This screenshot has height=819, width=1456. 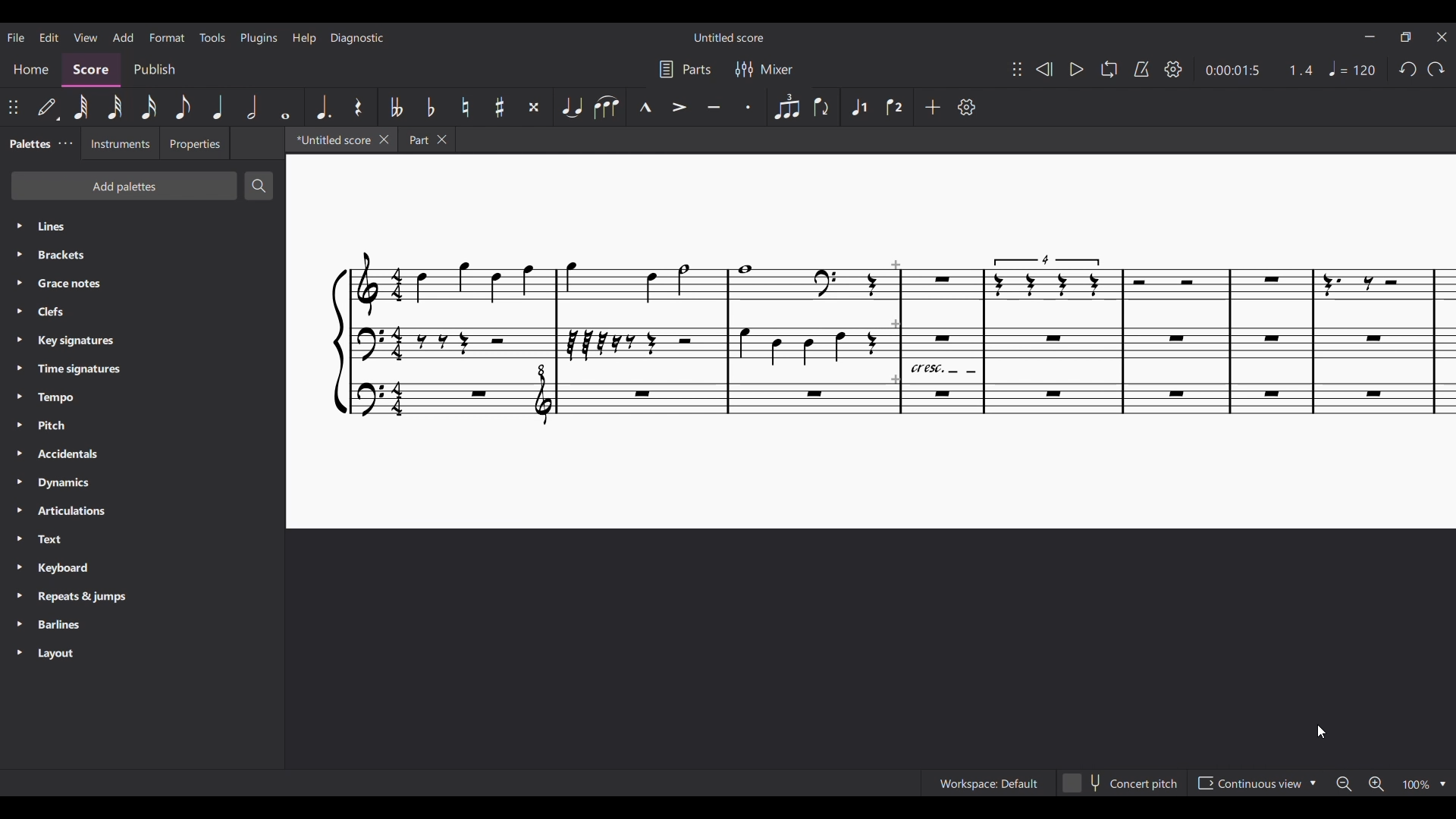 What do you see at coordinates (686, 69) in the screenshot?
I see `Parts settings` at bounding box center [686, 69].